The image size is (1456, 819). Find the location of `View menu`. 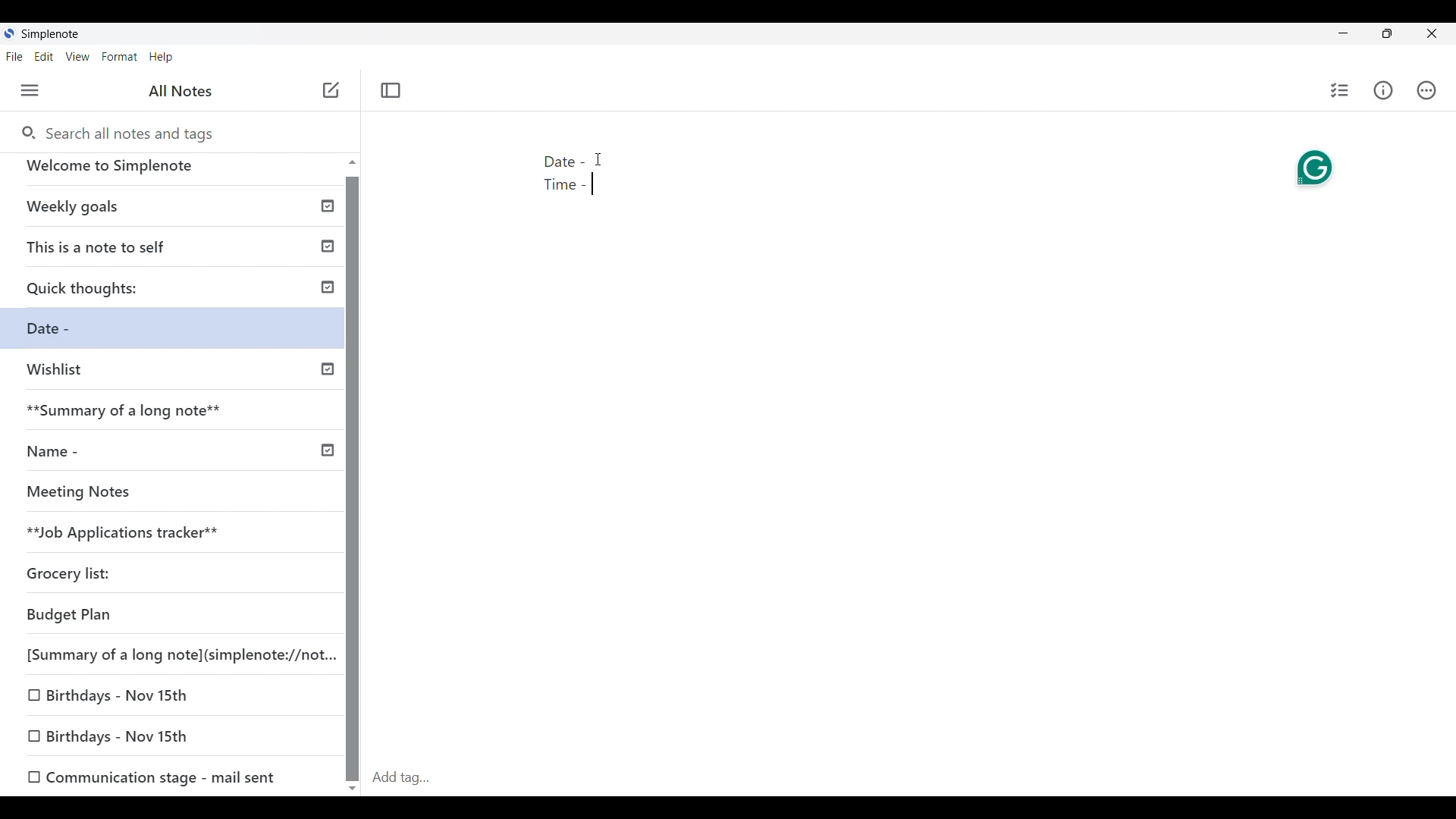

View menu is located at coordinates (78, 56).